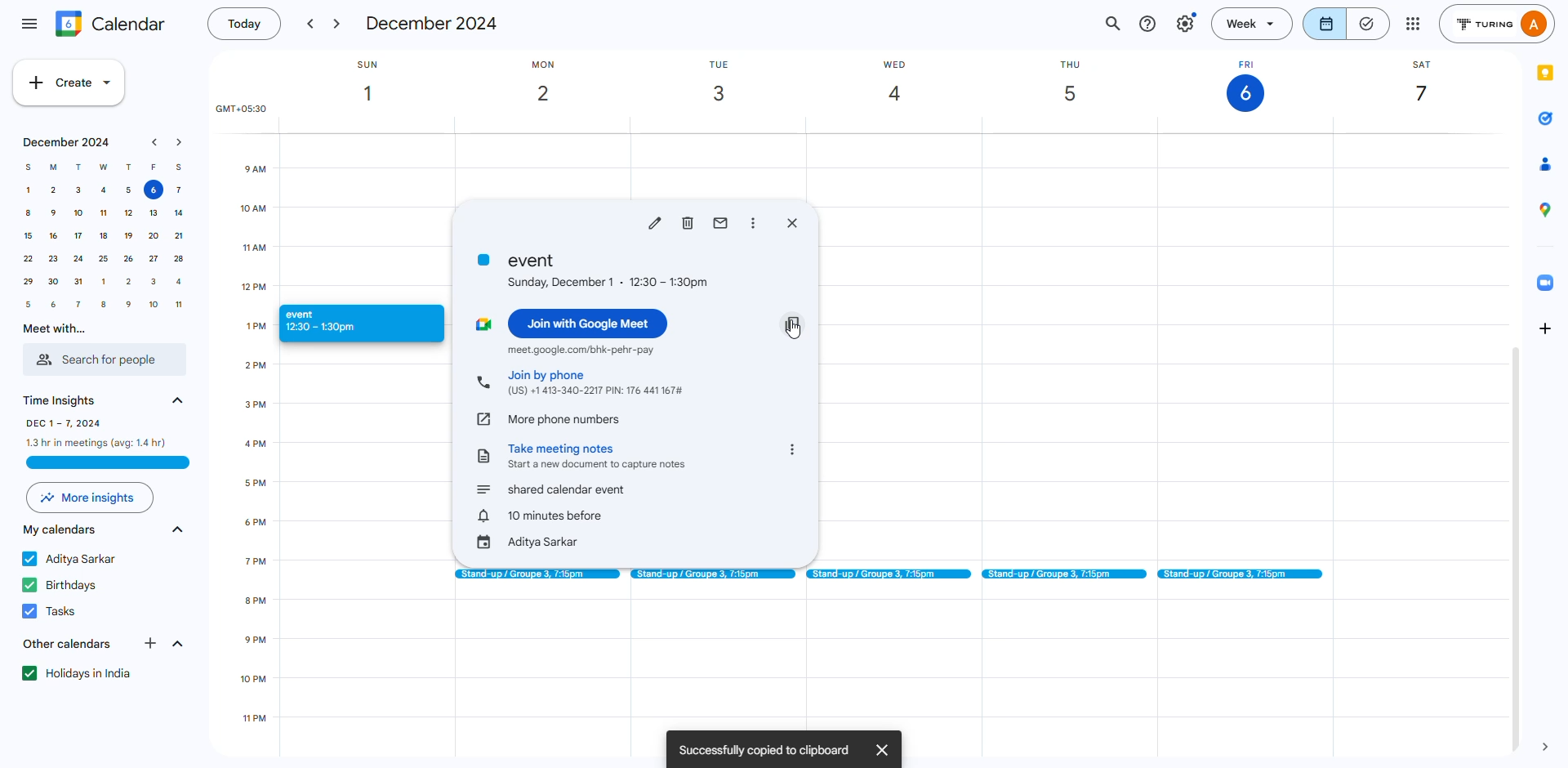  I want to click on time, so click(62, 399).